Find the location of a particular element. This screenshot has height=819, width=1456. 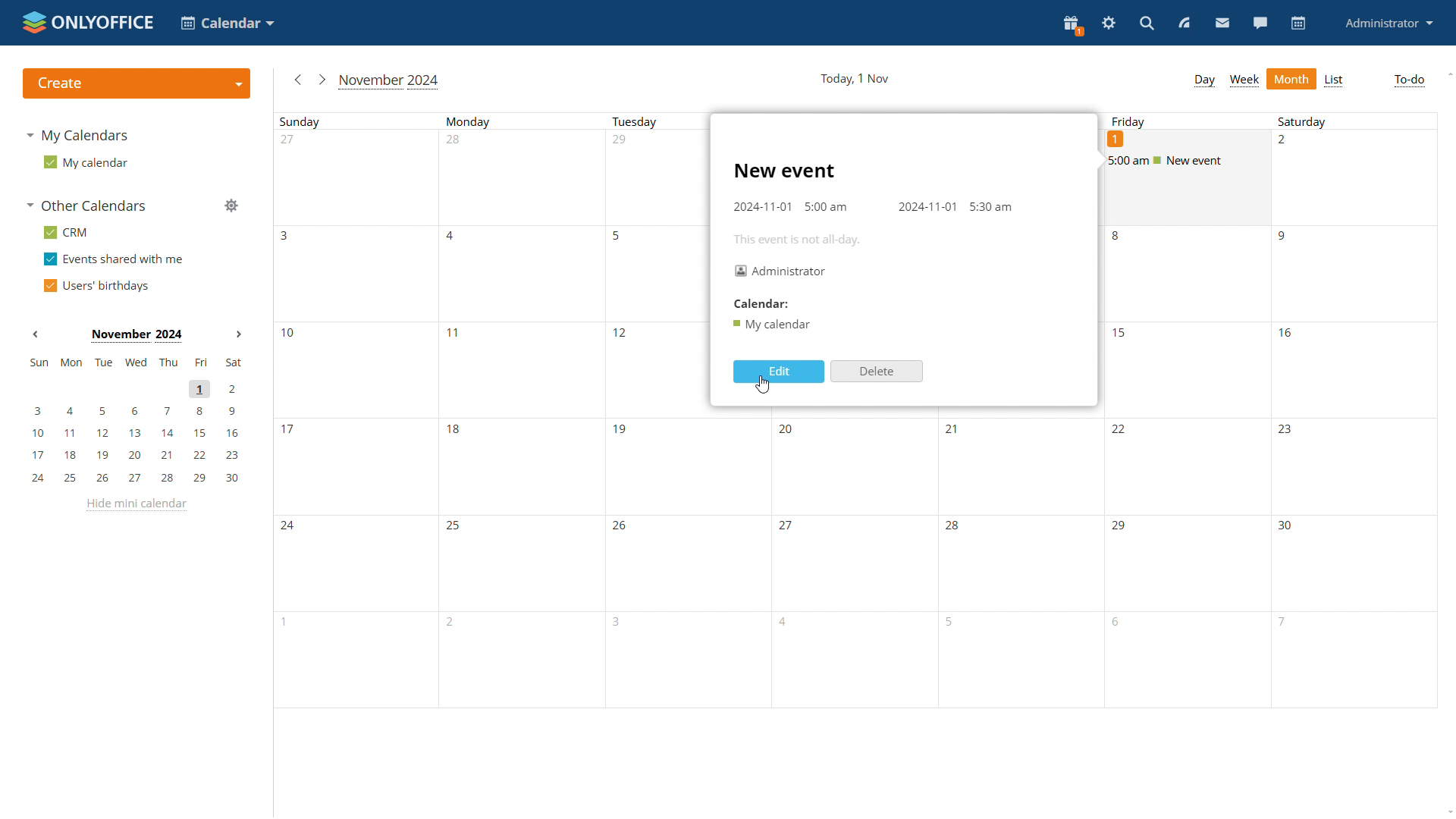

manage is located at coordinates (231, 206).